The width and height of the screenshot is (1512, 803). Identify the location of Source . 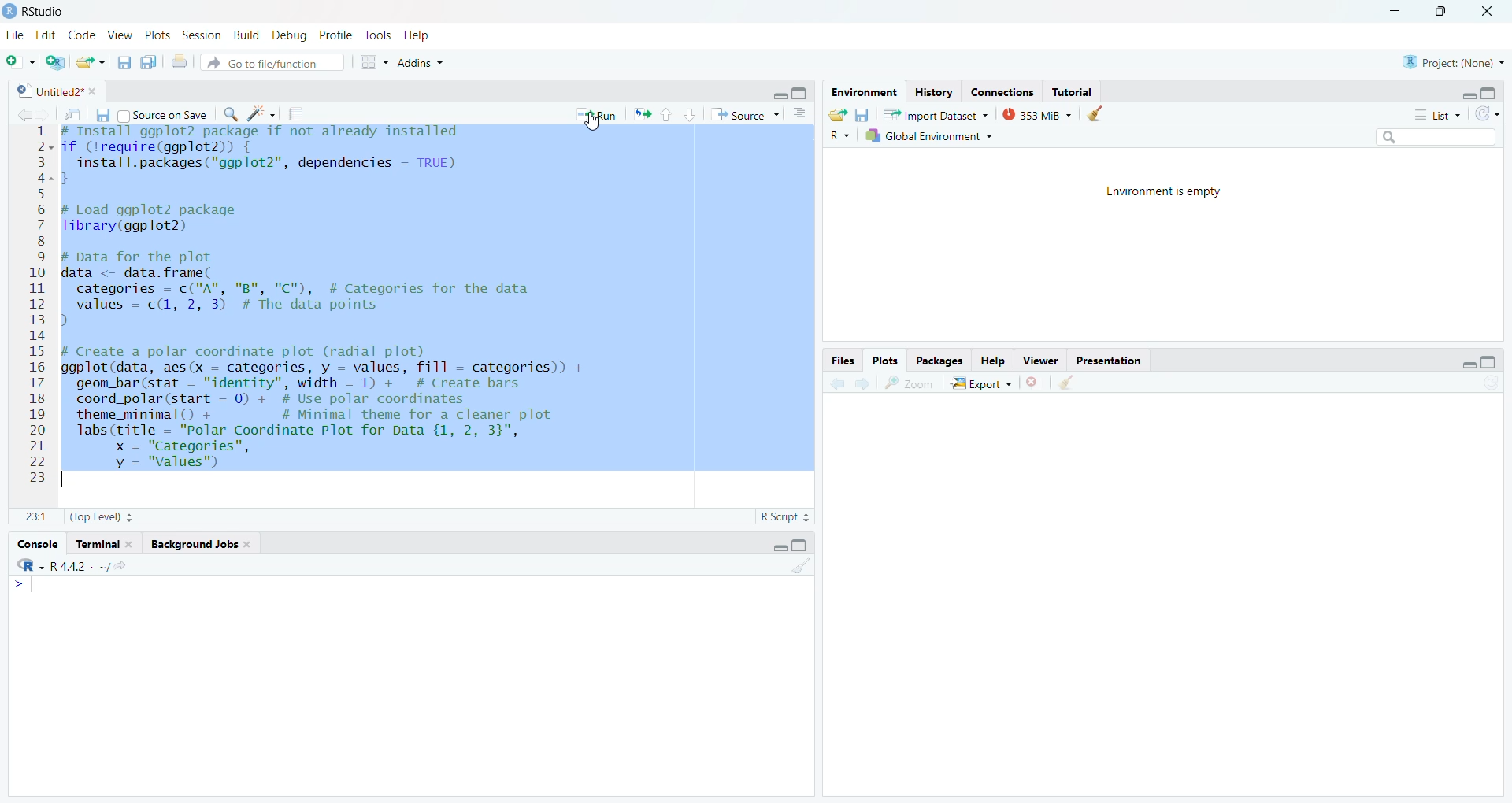
(744, 114).